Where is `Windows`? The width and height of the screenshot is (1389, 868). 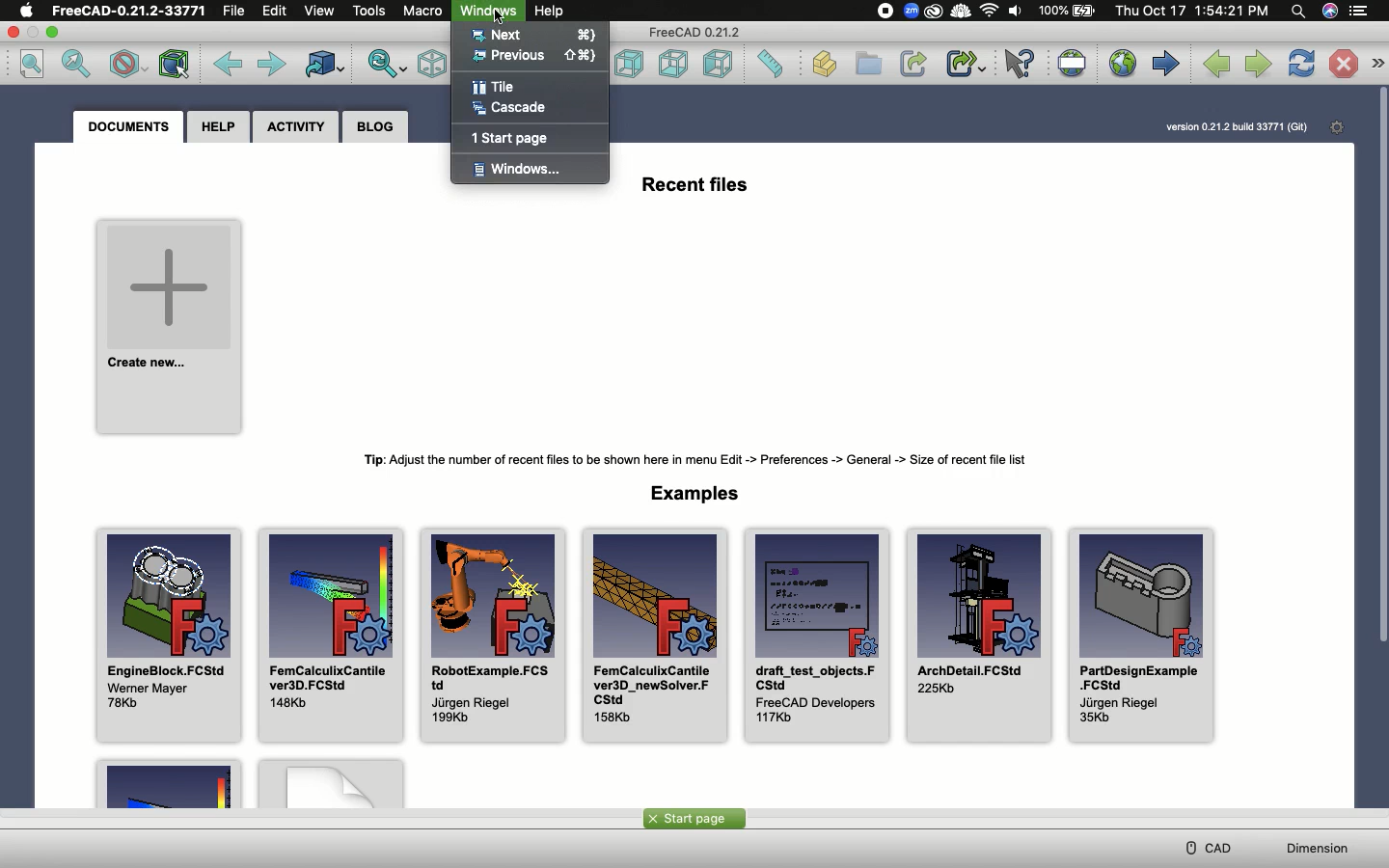
Windows is located at coordinates (517, 171).